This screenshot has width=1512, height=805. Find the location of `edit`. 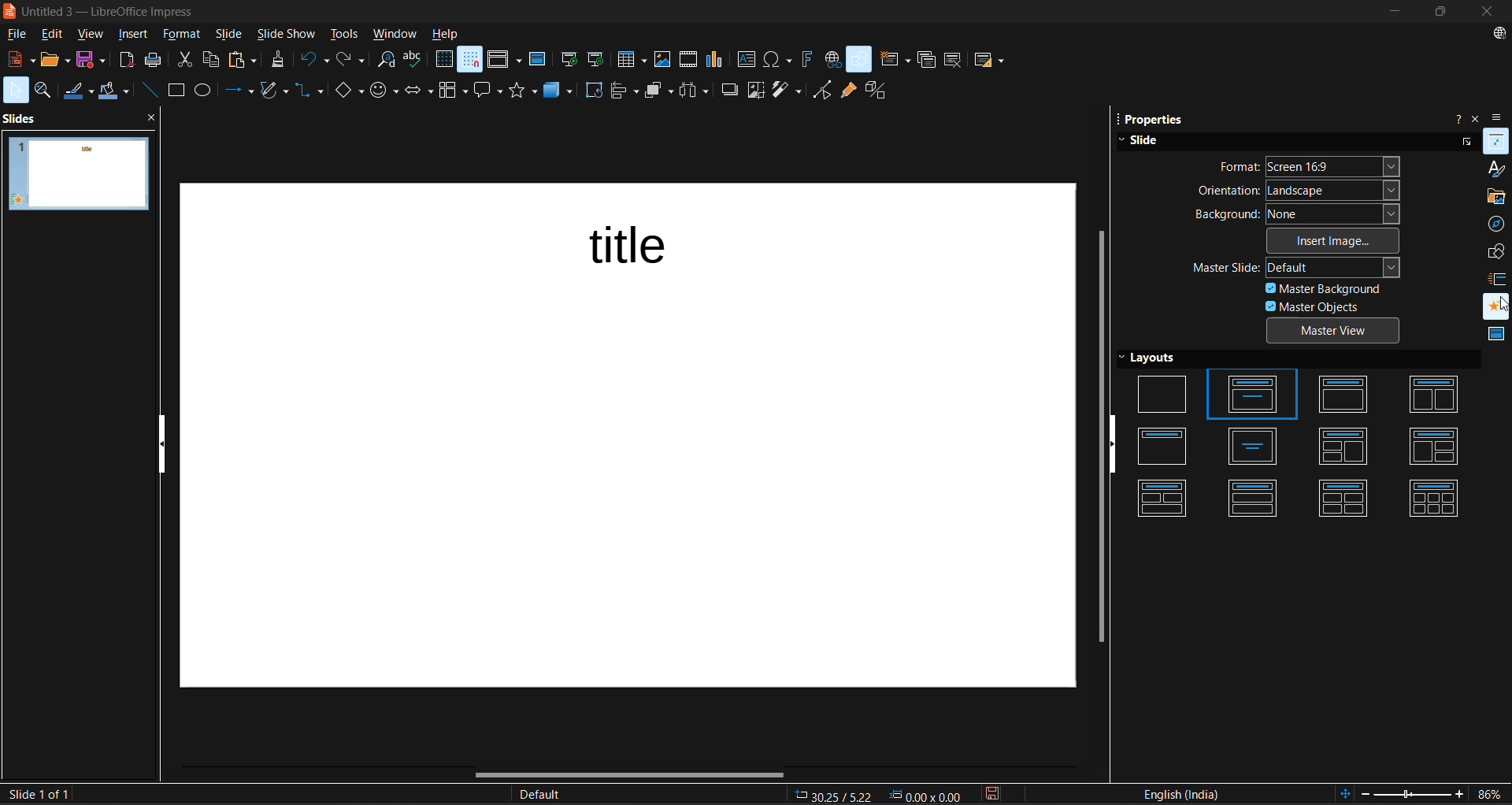

edit is located at coordinates (55, 34).